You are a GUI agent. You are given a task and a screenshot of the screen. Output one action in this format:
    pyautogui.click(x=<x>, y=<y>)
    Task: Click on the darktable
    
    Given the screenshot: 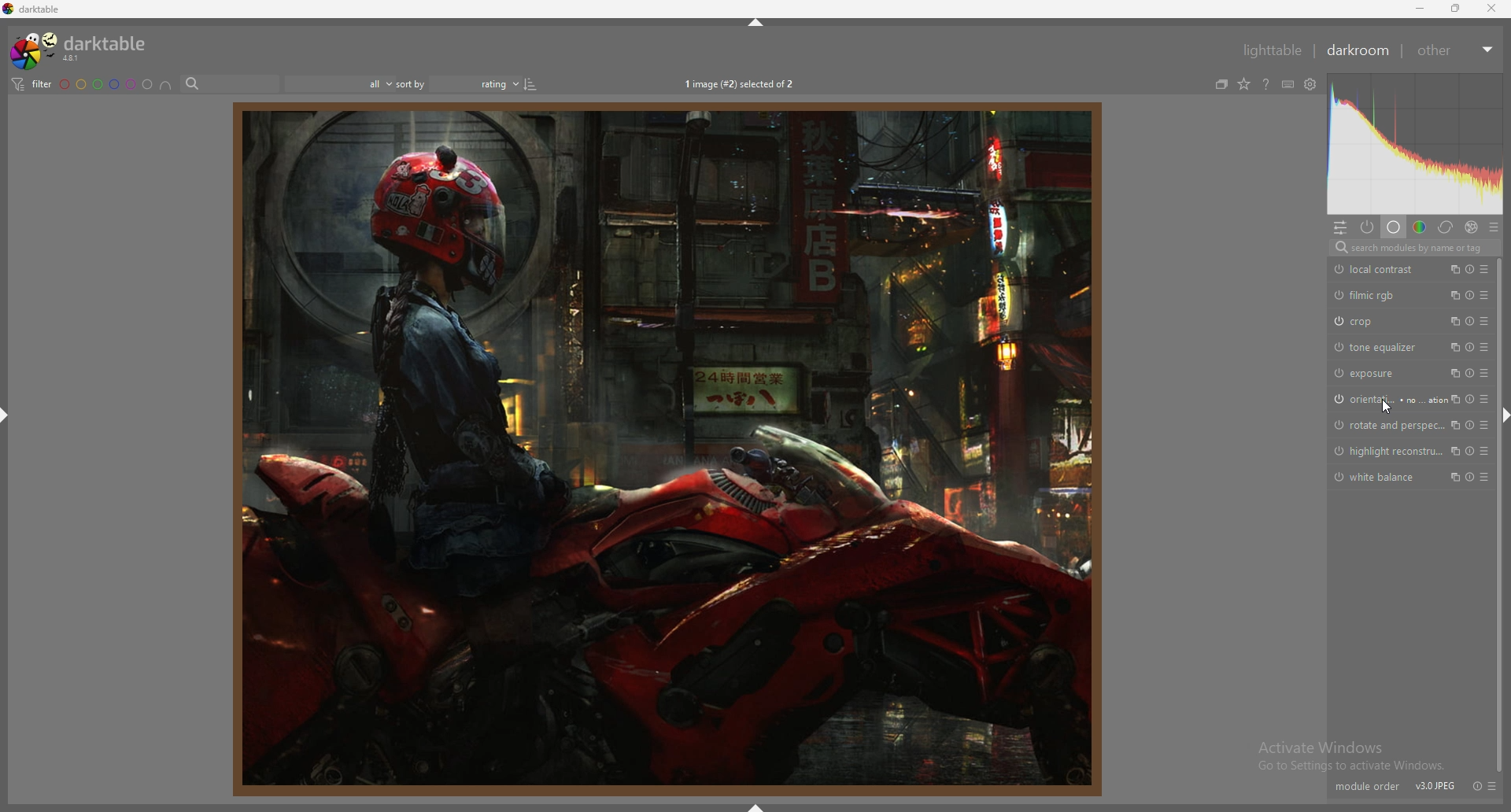 What is the action you would take?
    pyautogui.click(x=60, y=9)
    